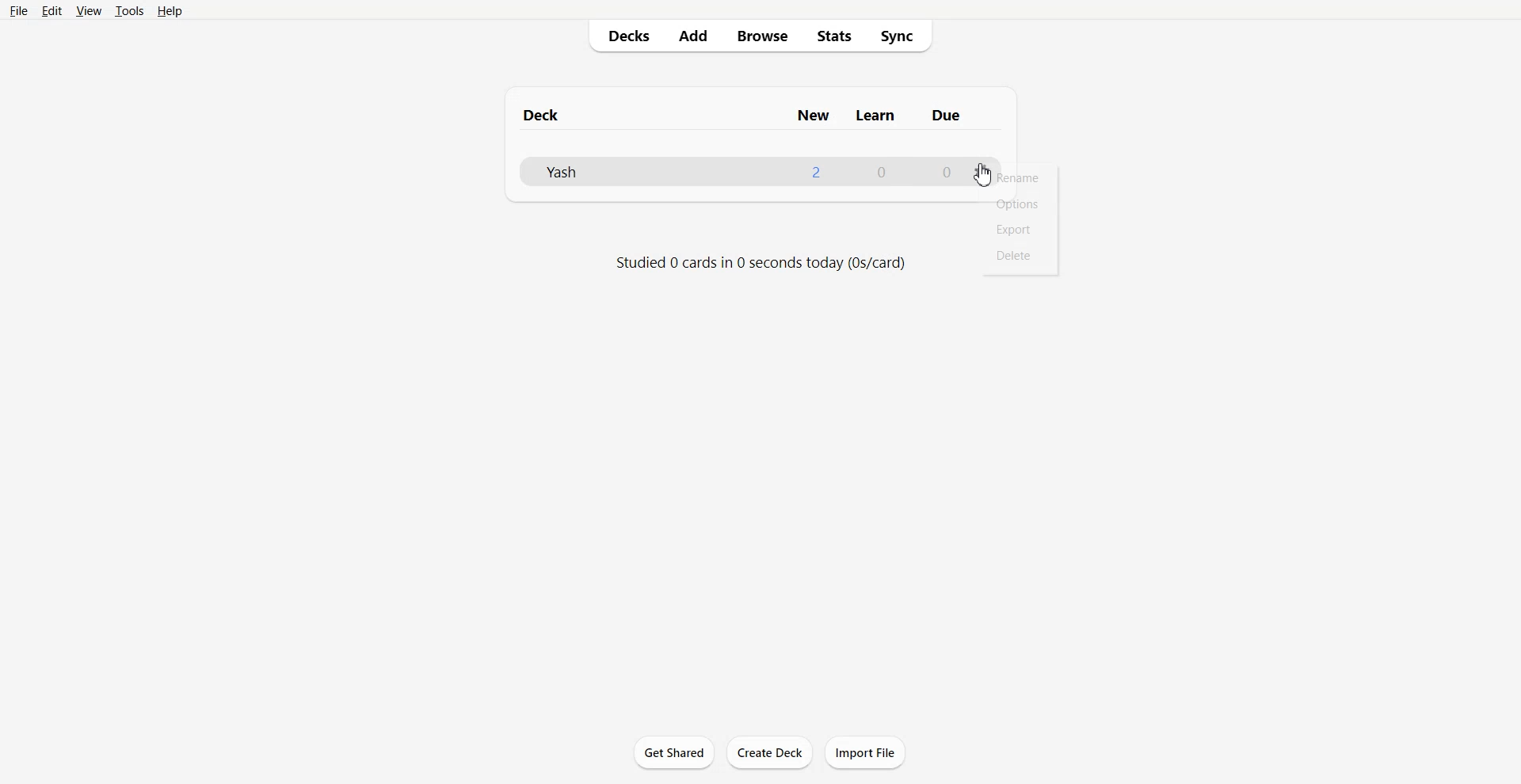  Describe the element at coordinates (813, 116) in the screenshot. I see `new` at that location.